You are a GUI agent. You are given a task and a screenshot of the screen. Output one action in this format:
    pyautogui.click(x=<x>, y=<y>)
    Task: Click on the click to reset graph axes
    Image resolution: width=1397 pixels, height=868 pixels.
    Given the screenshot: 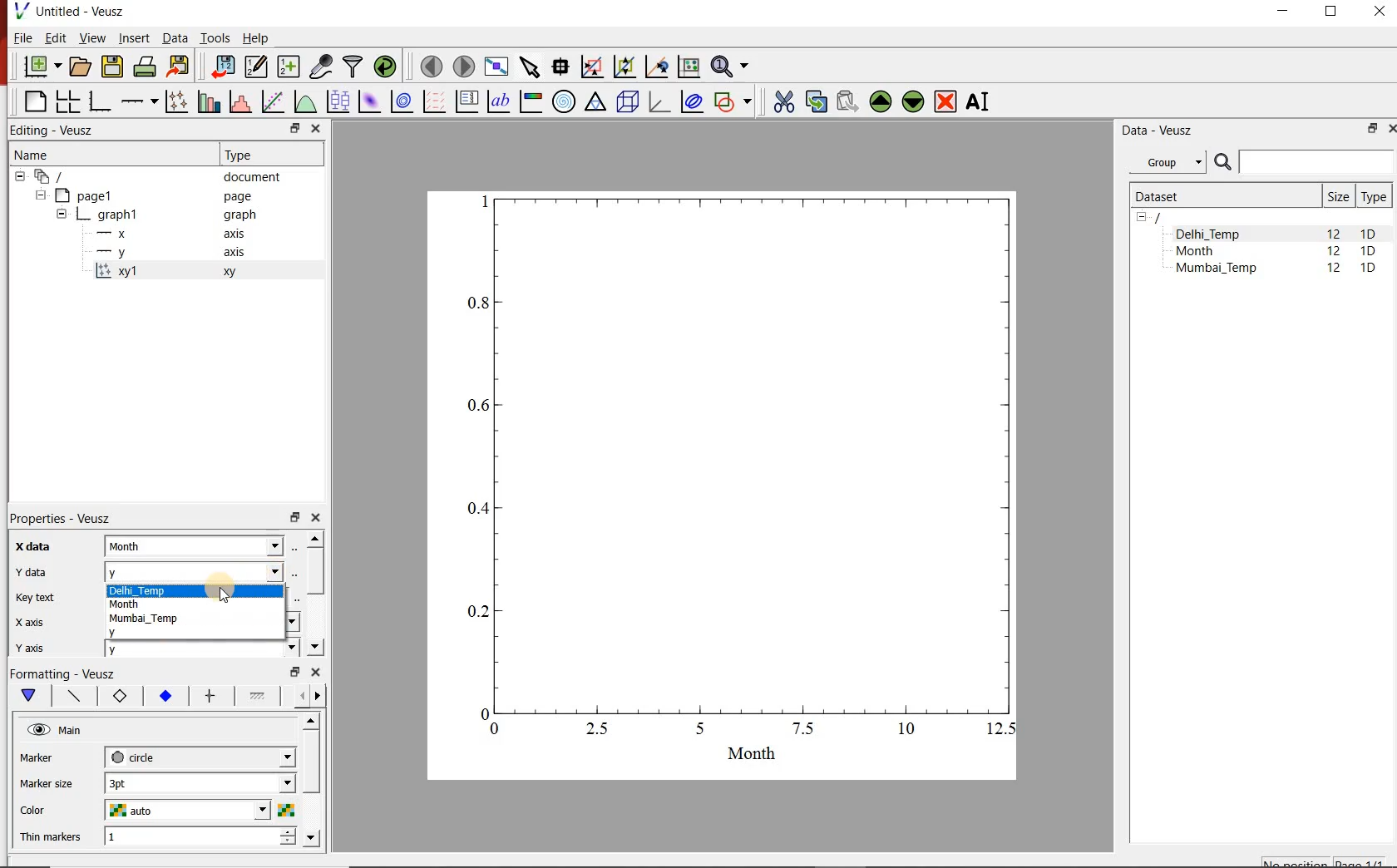 What is the action you would take?
    pyautogui.click(x=689, y=67)
    